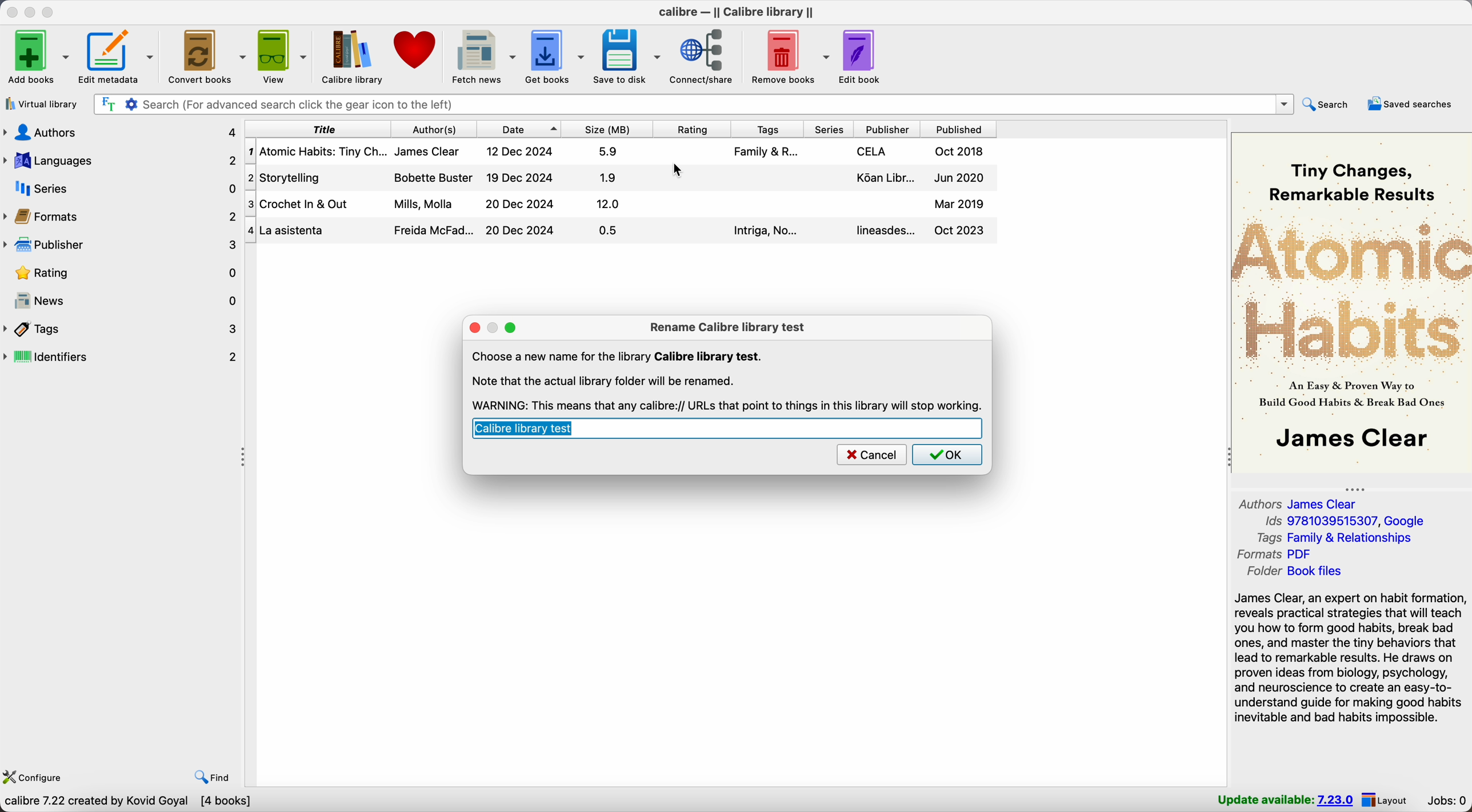  What do you see at coordinates (607, 128) in the screenshot?
I see `size` at bounding box center [607, 128].